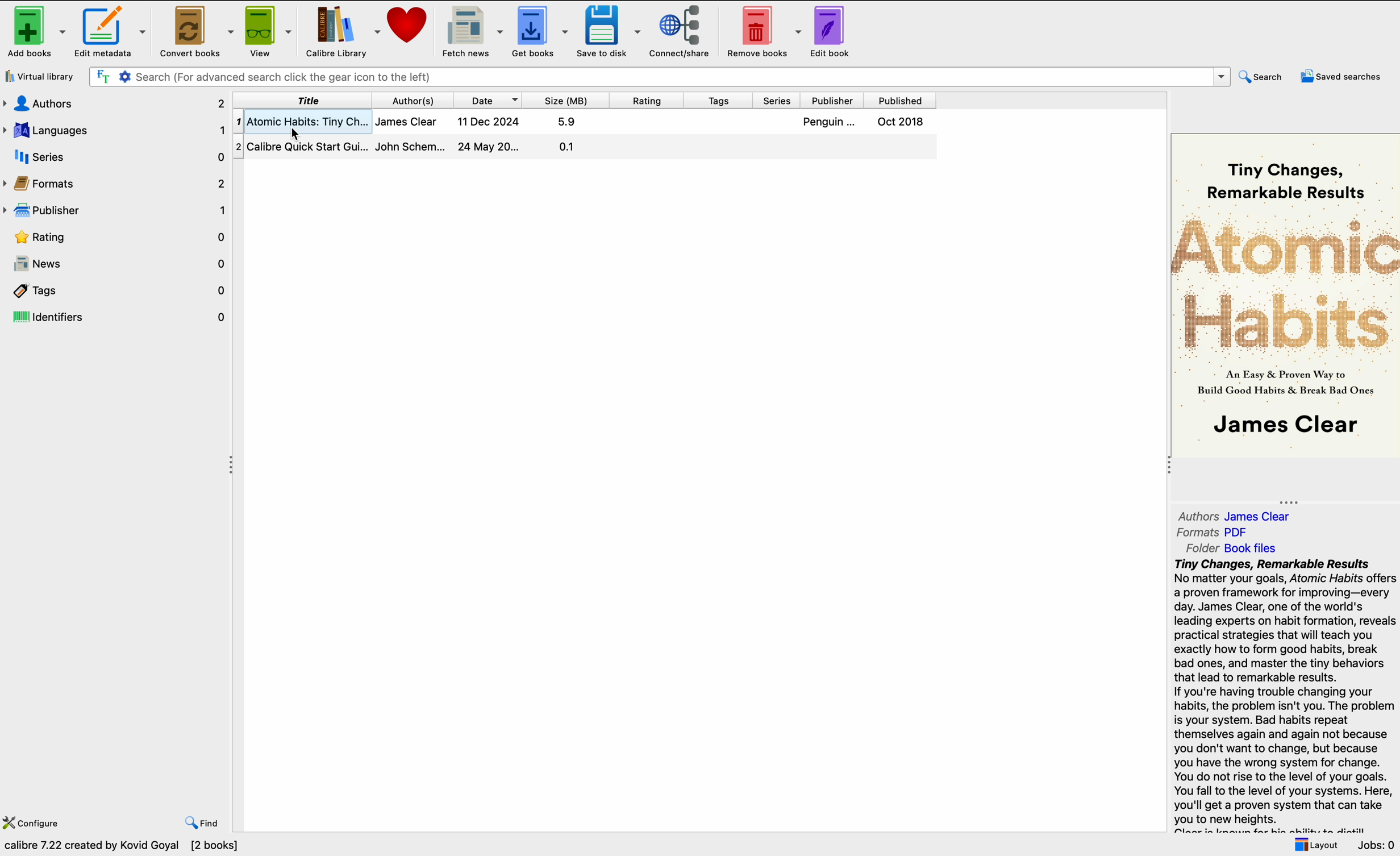 The width and height of the screenshot is (1400, 856). Describe the element at coordinates (300, 136) in the screenshot. I see `cursor` at that location.